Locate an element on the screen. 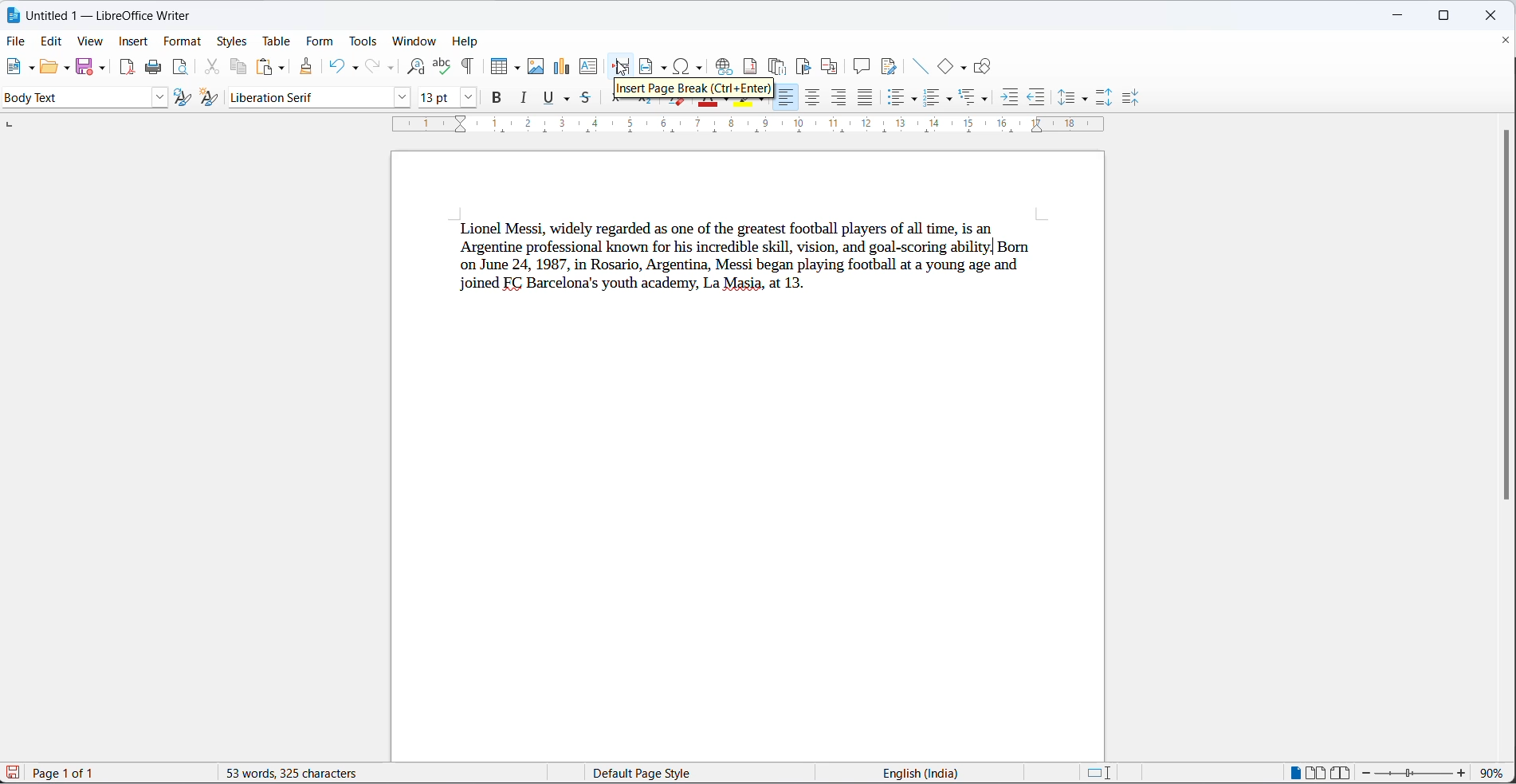 The width and height of the screenshot is (1516, 784). close documents is located at coordinates (1506, 40).